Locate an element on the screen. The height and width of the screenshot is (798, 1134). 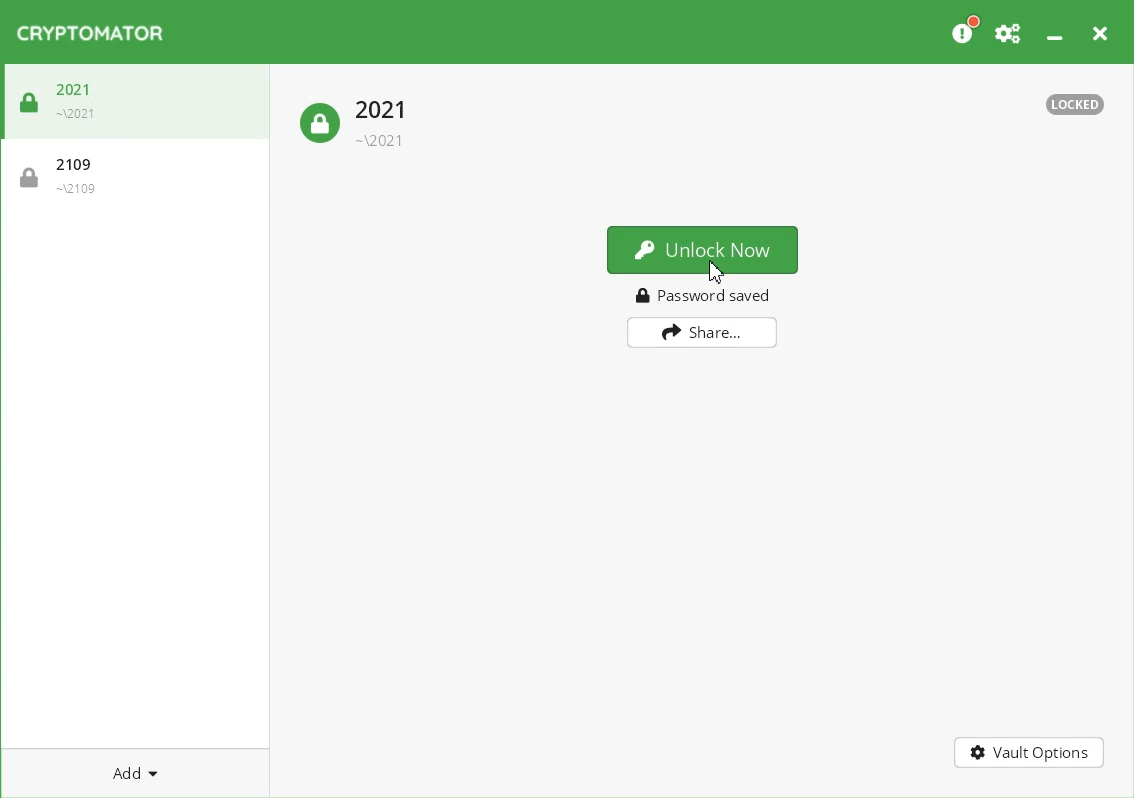
Cursor is located at coordinates (716, 271).